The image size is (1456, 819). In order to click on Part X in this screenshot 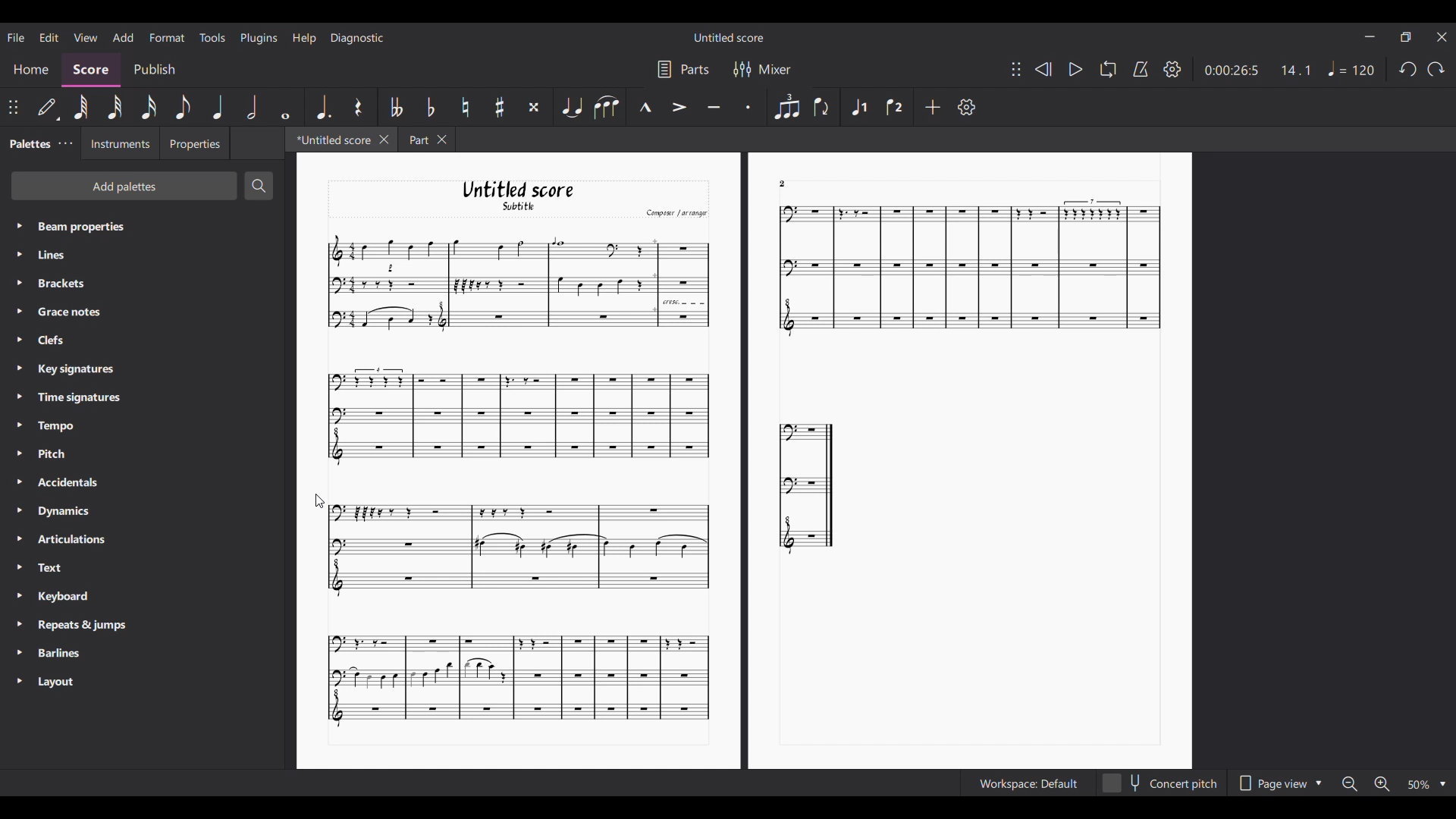, I will do `click(426, 140)`.